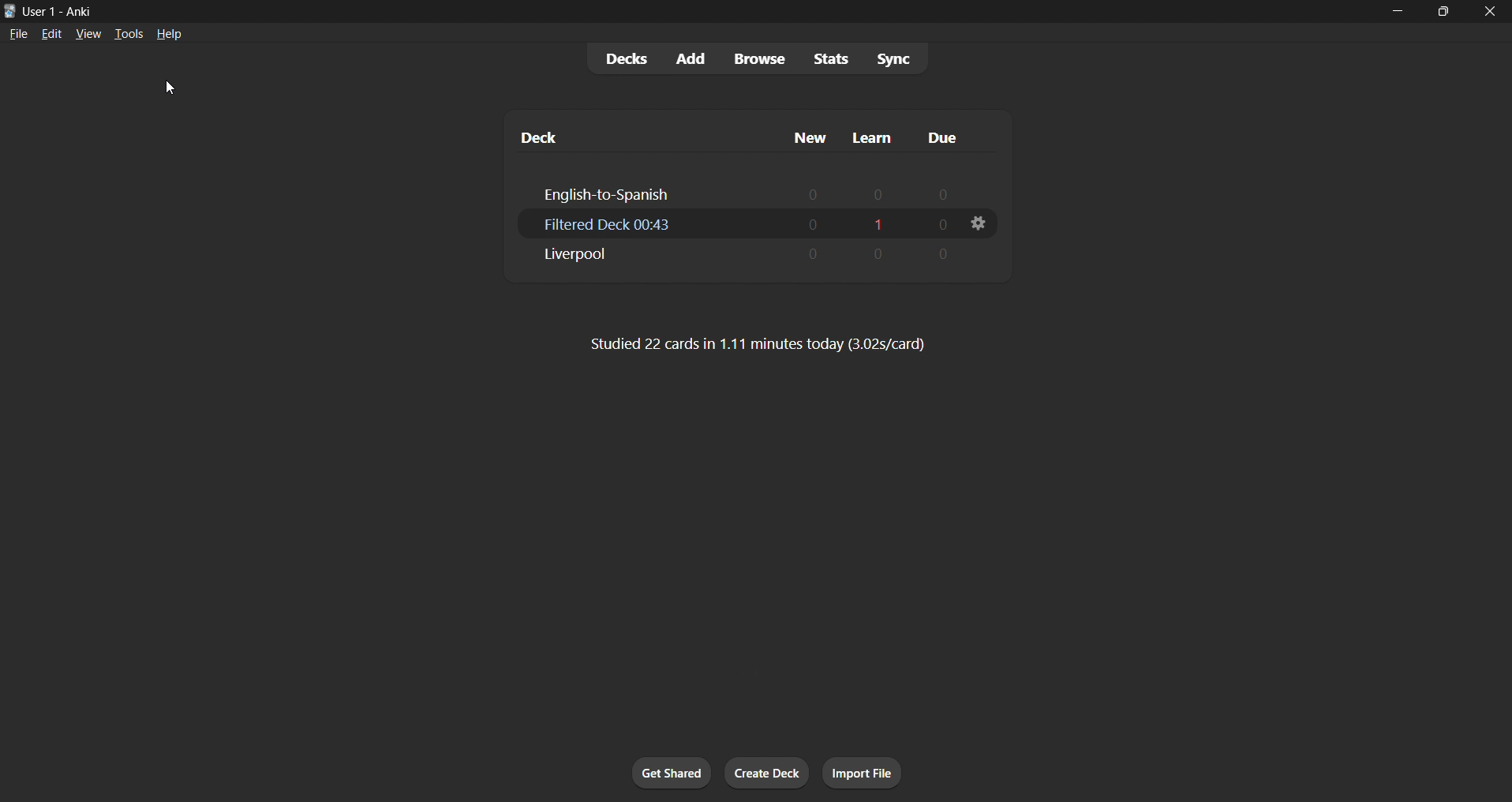 The image size is (1512, 802). What do you see at coordinates (814, 223) in the screenshot?
I see `0` at bounding box center [814, 223].